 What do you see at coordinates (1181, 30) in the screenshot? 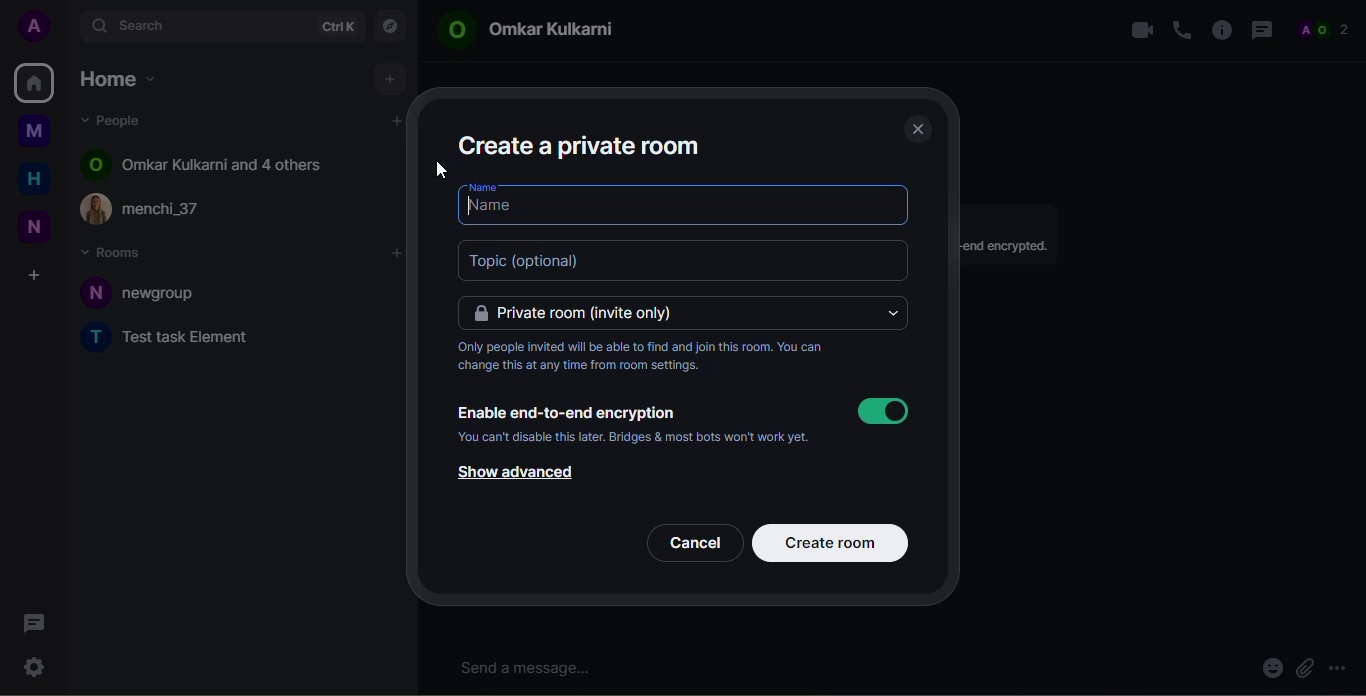
I see `voice call` at bounding box center [1181, 30].